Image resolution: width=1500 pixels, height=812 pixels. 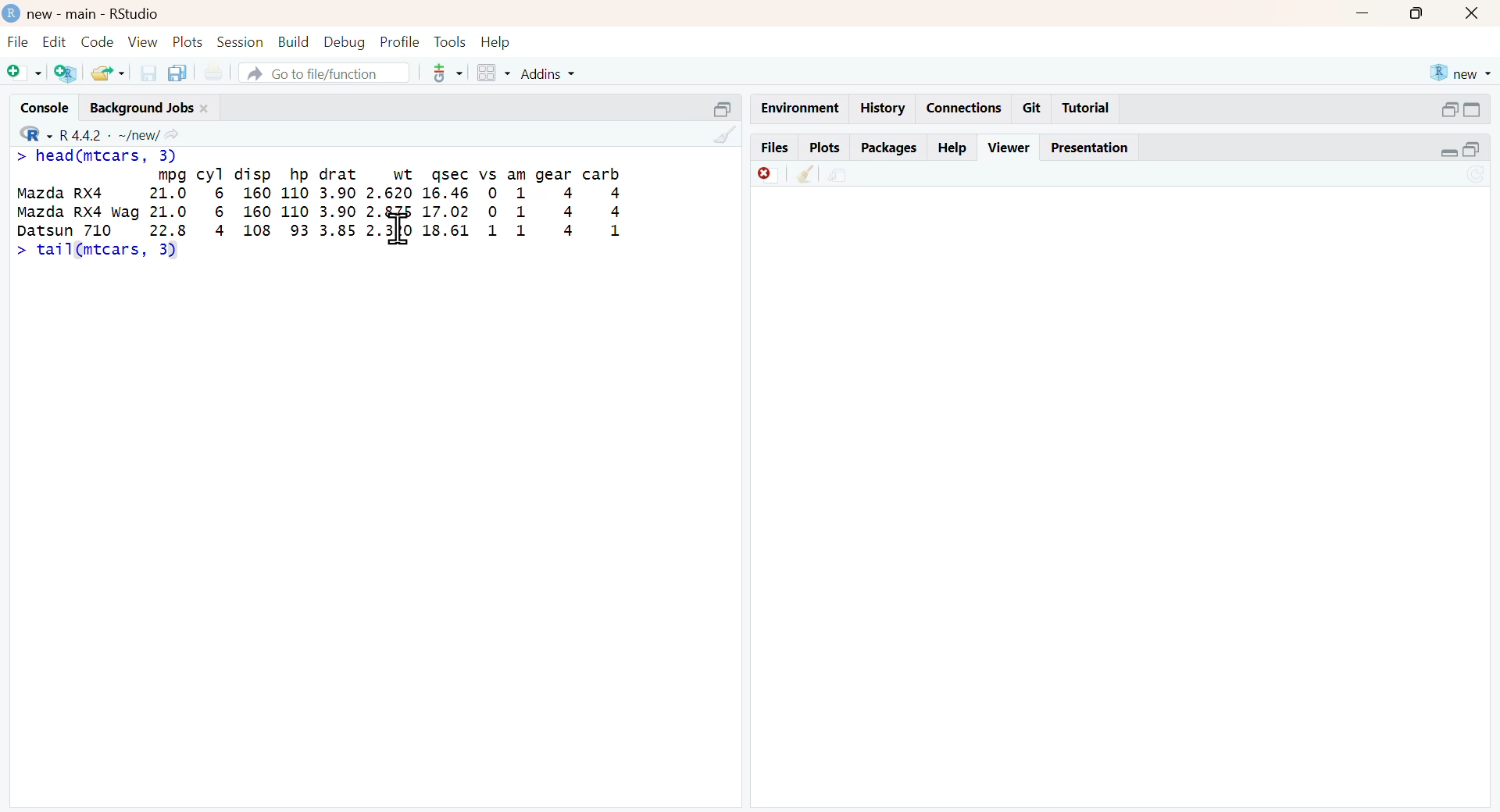 I want to click on Packages, so click(x=889, y=146).